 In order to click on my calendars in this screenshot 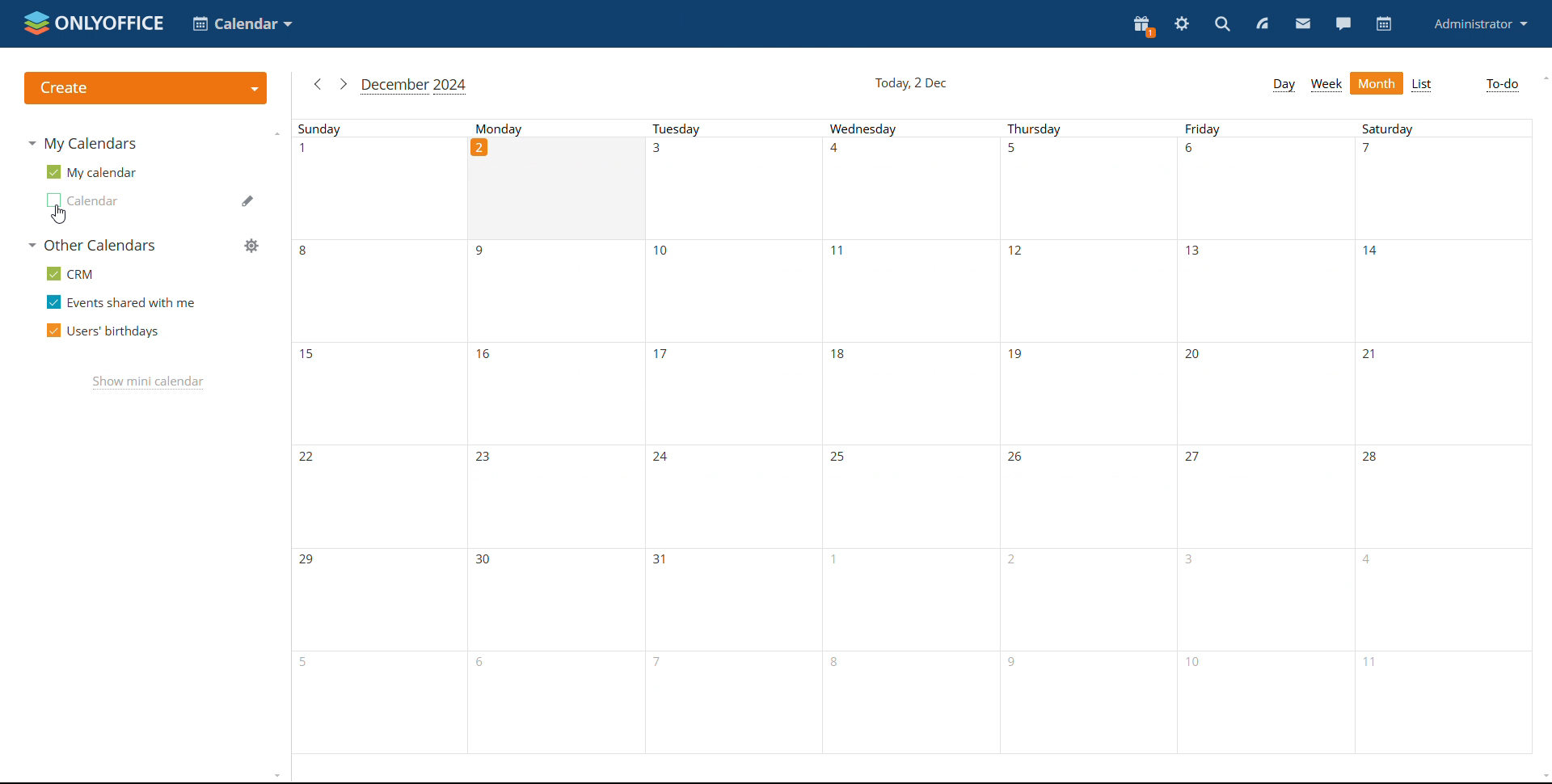, I will do `click(82, 142)`.